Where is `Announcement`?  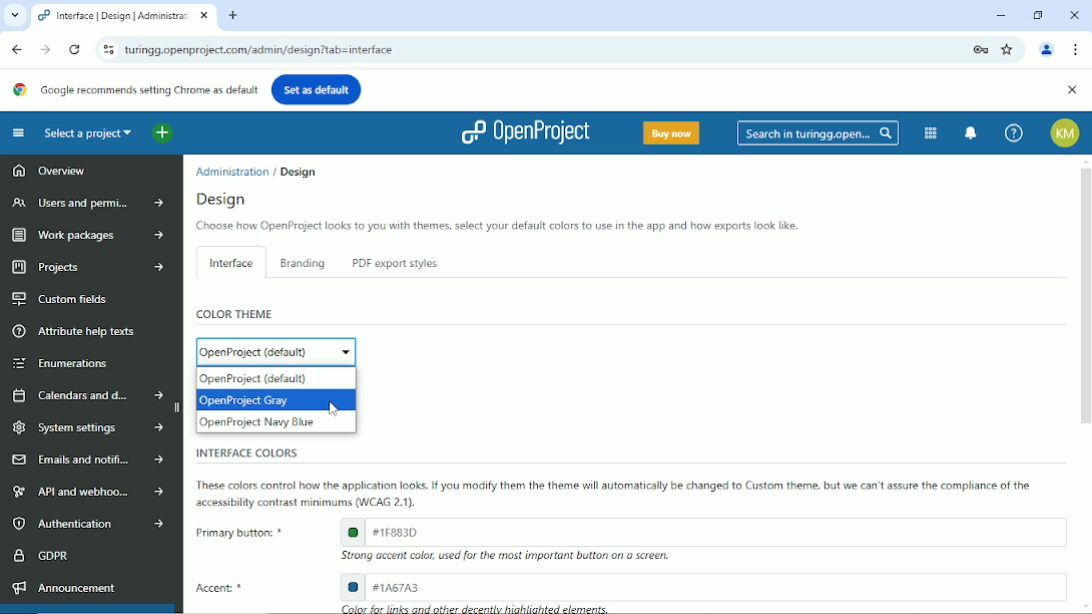 Announcement is located at coordinates (63, 587).